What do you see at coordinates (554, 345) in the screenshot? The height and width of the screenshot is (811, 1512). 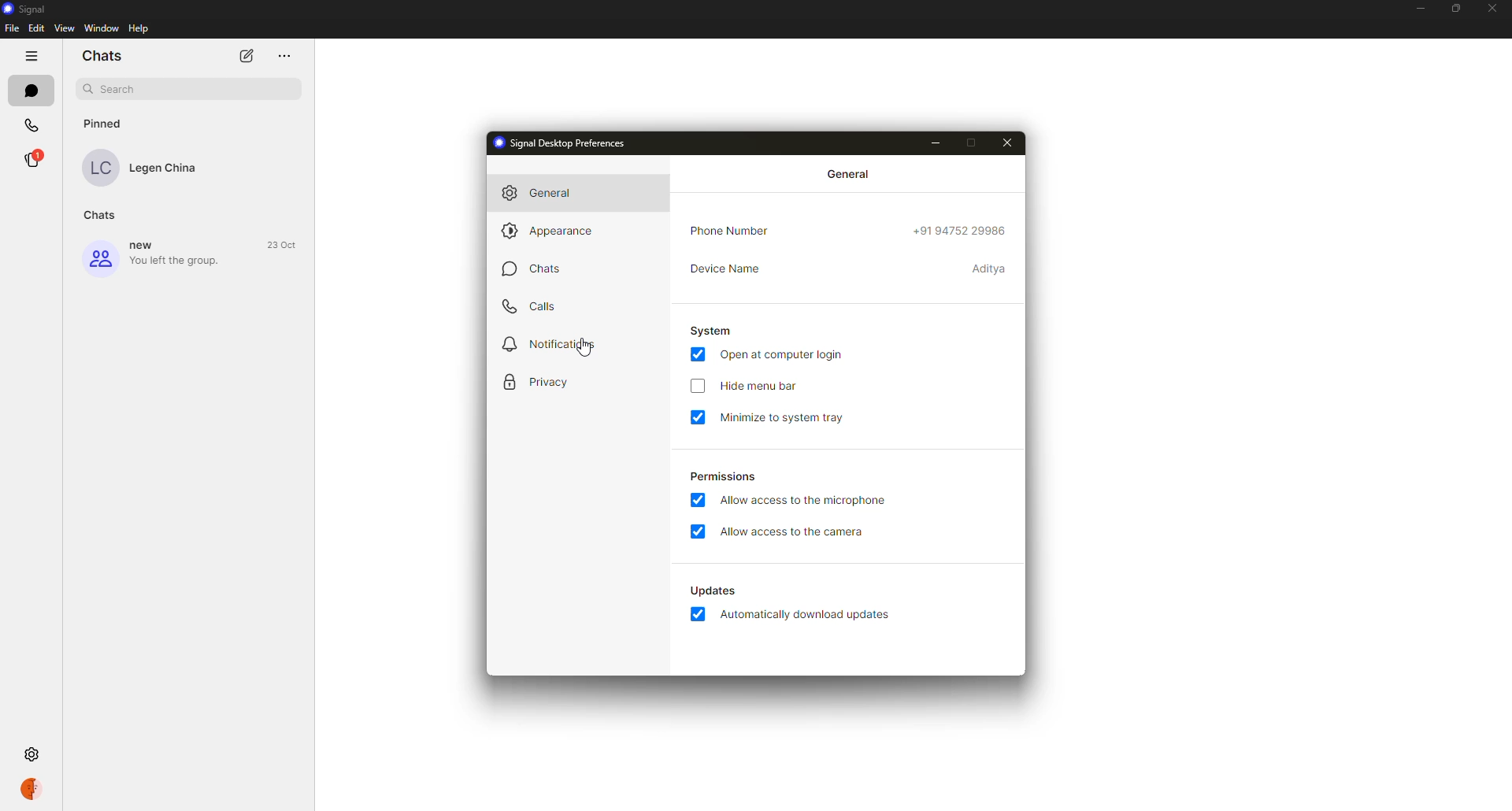 I see `notifications` at bounding box center [554, 345].